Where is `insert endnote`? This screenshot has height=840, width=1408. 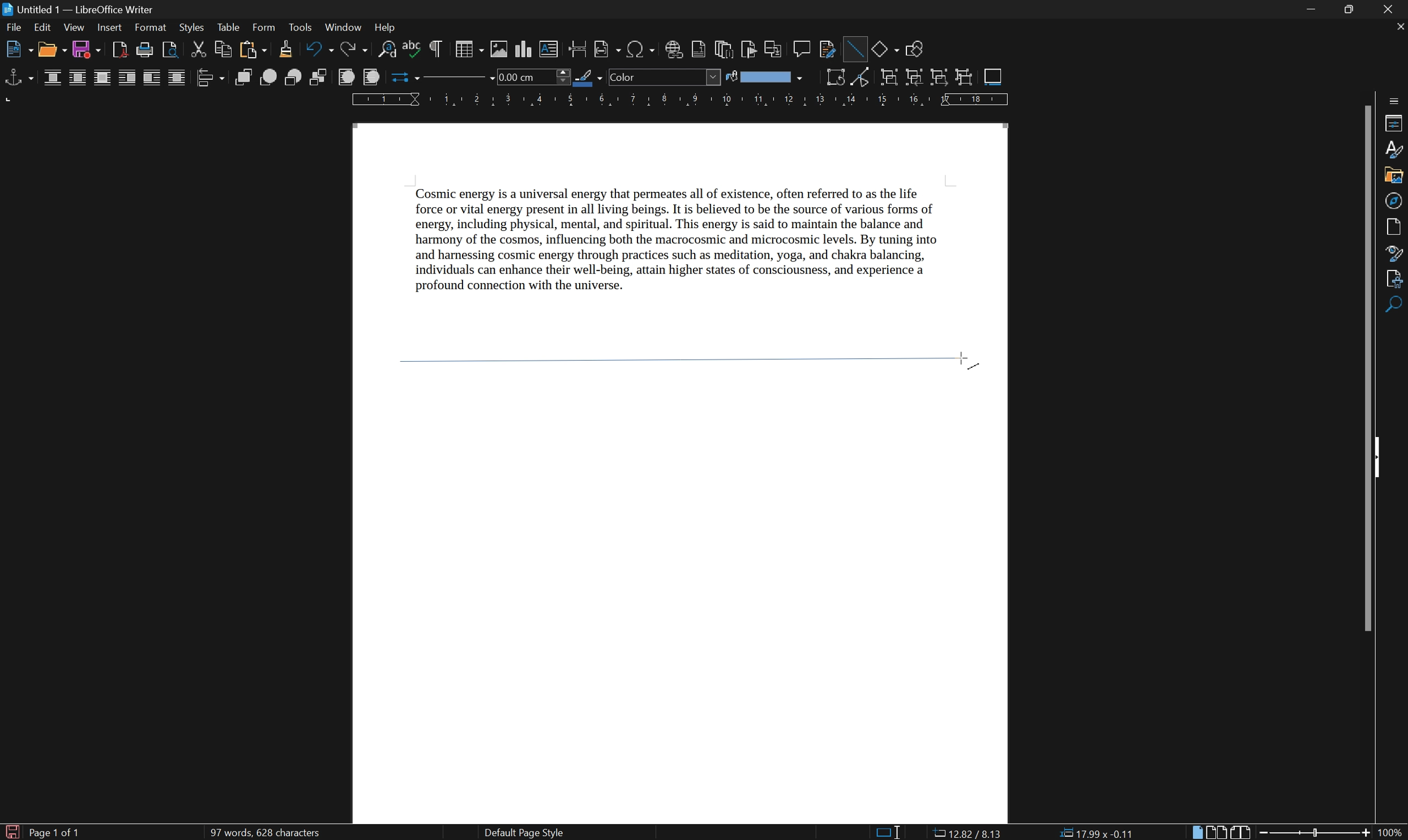
insert endnote is located at coordinates (722, 49).